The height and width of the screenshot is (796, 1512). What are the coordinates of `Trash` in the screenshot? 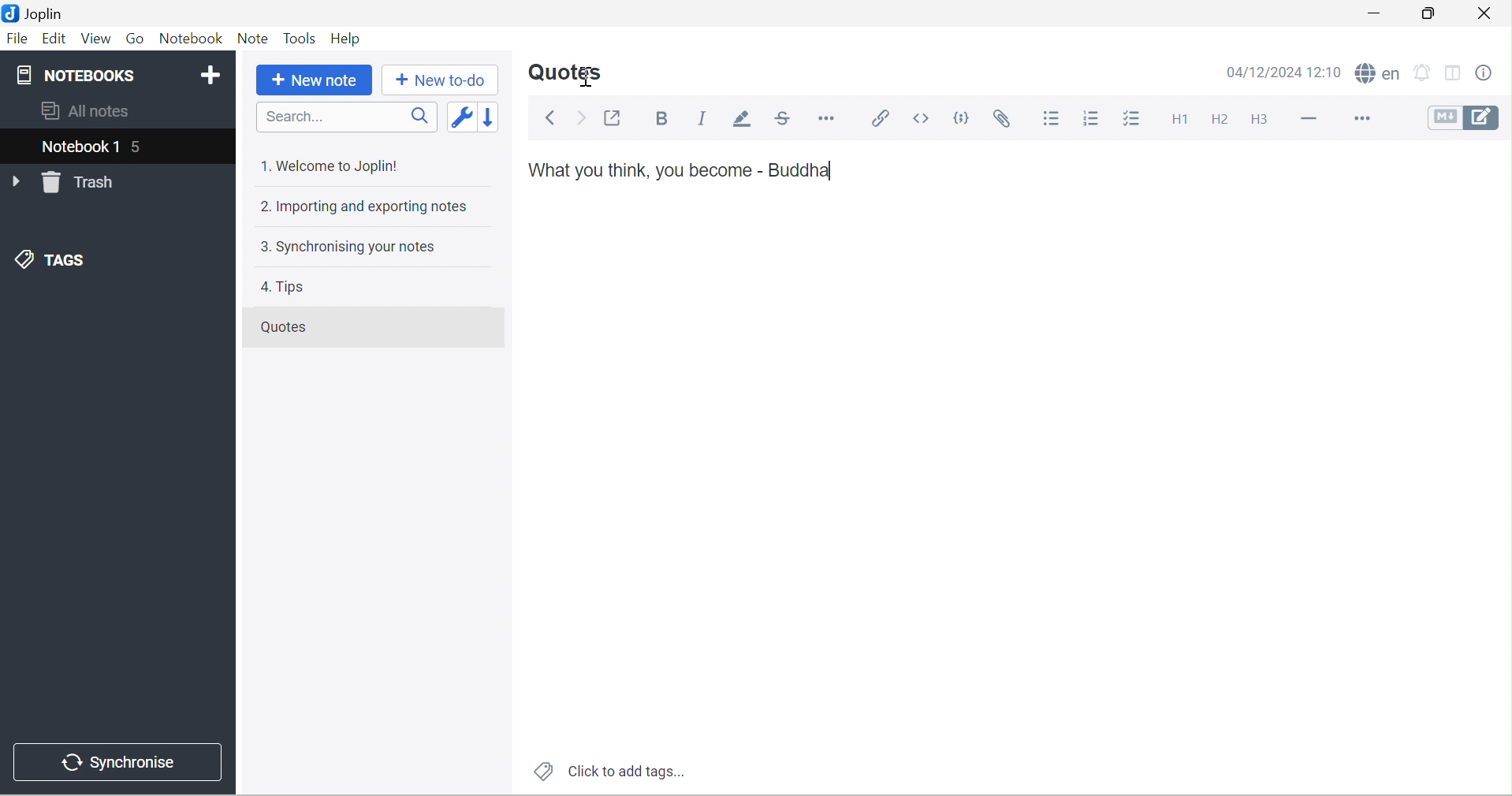 It's located at (84, 183).